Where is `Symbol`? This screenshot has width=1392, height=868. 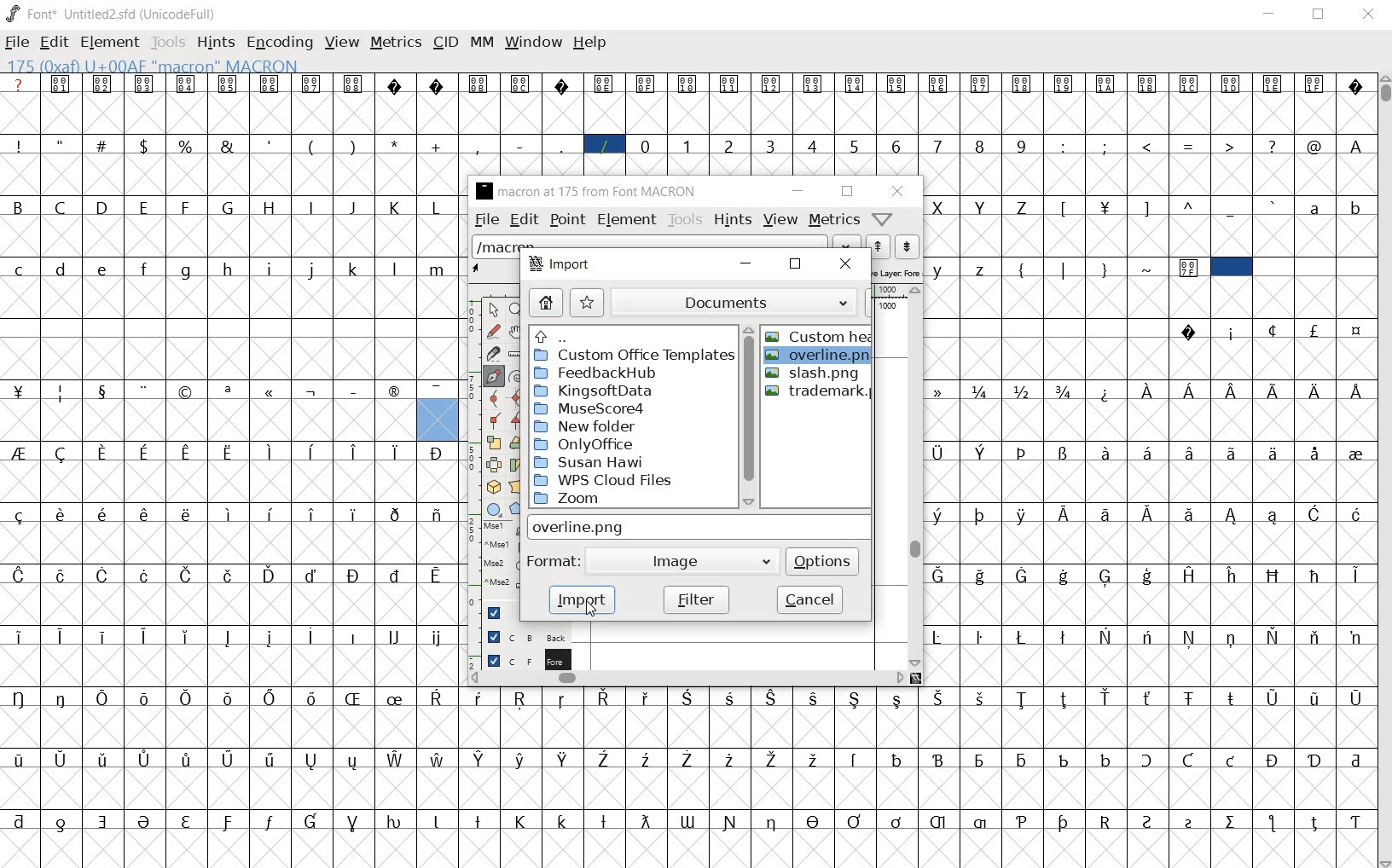
Symbol is located at coordinates (17, 760).